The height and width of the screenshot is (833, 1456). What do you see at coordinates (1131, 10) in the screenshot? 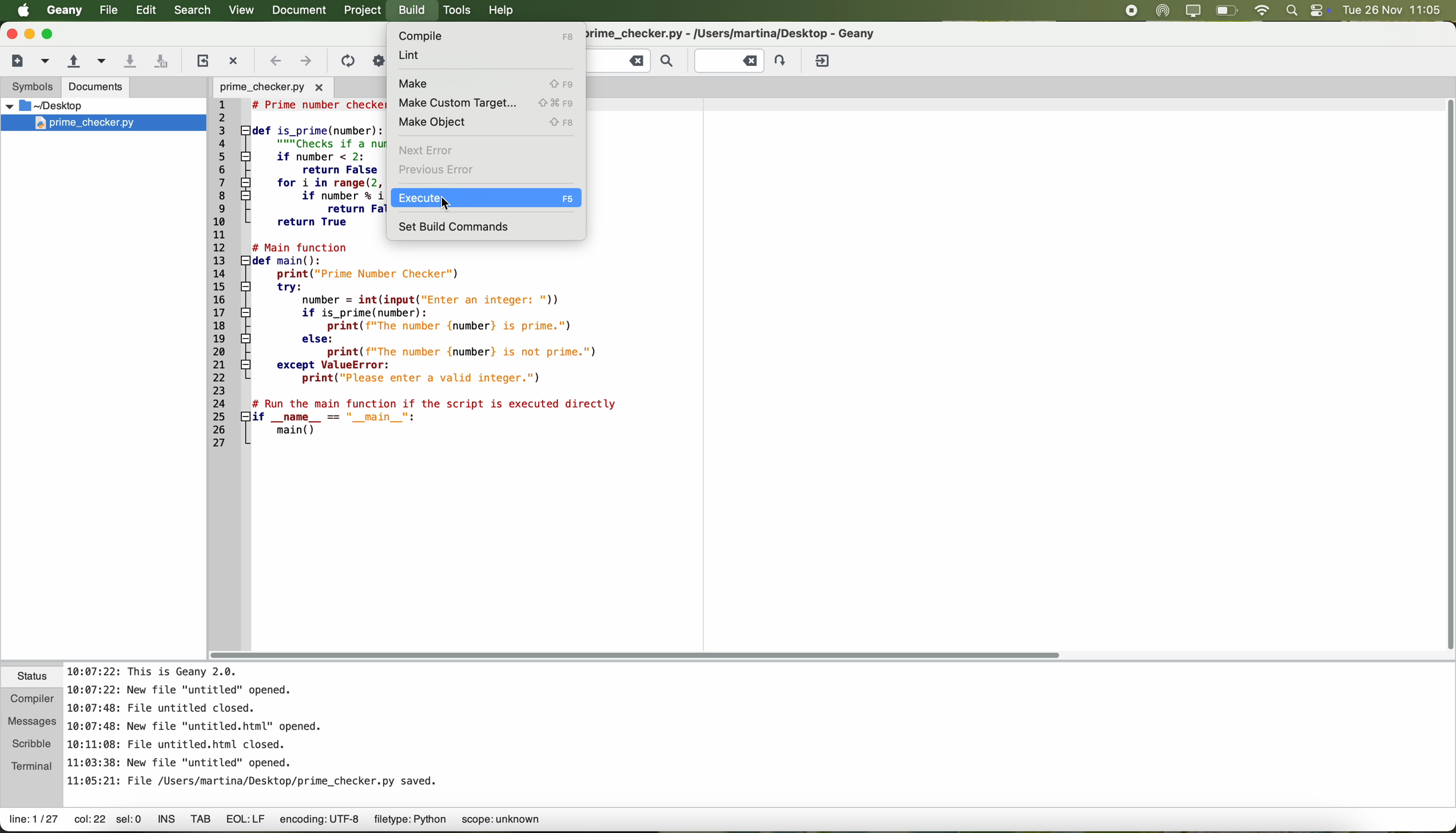
I see `stop recording` at bounding box center [1131, 10].